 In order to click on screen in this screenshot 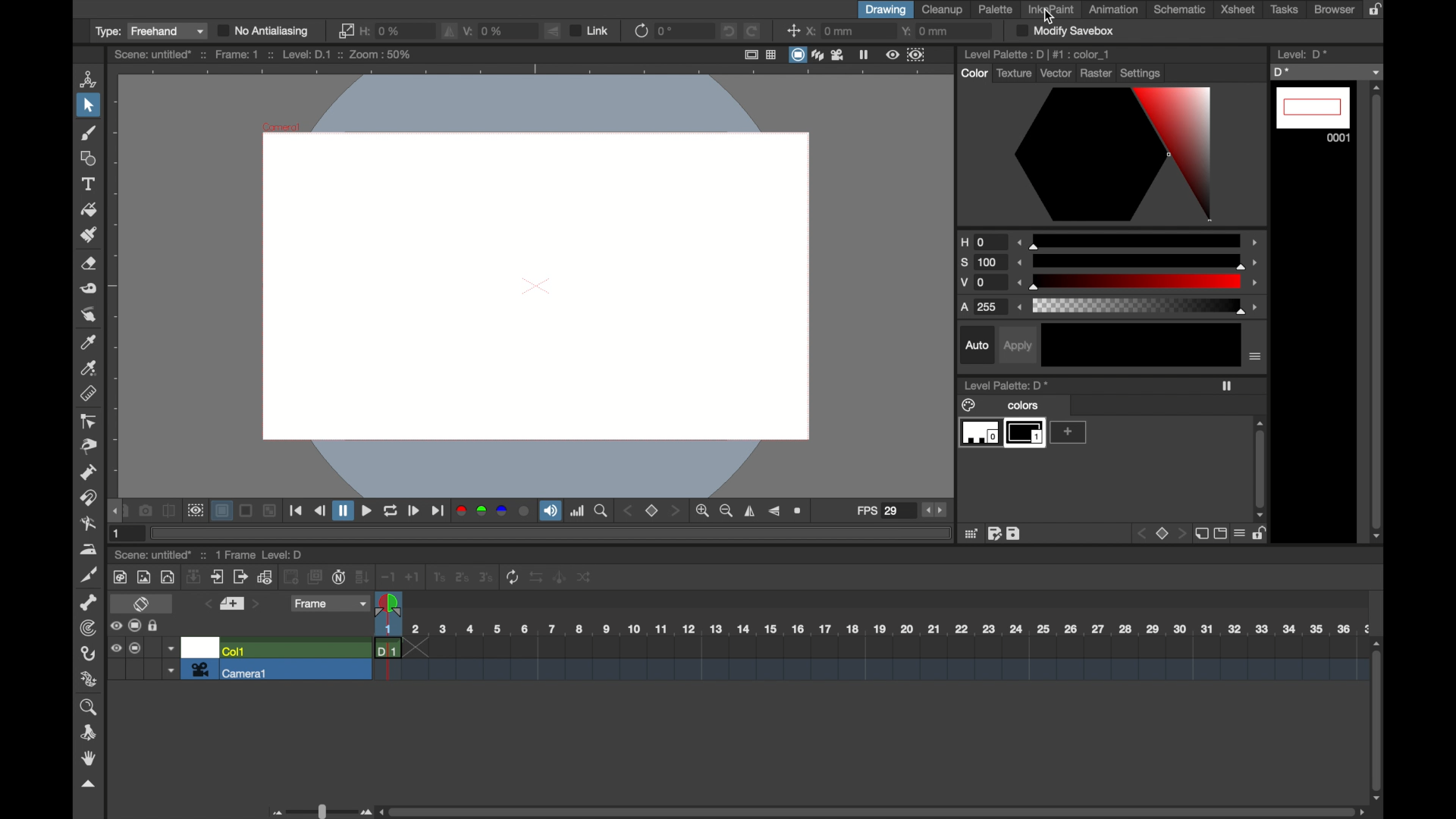, I will do `click(136, 648)`.